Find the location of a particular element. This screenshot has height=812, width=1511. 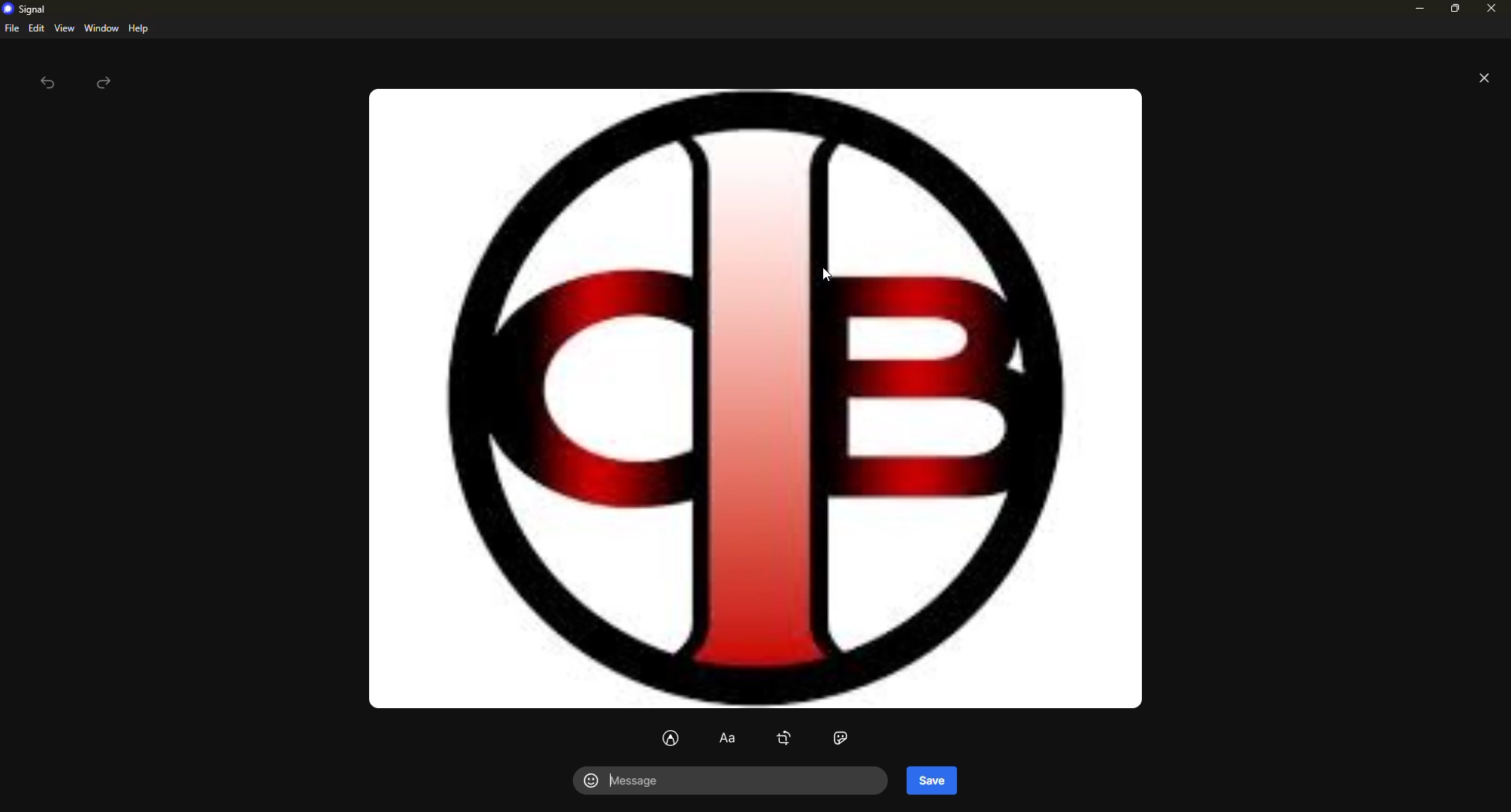

close is located at coordinates (1491, 9).